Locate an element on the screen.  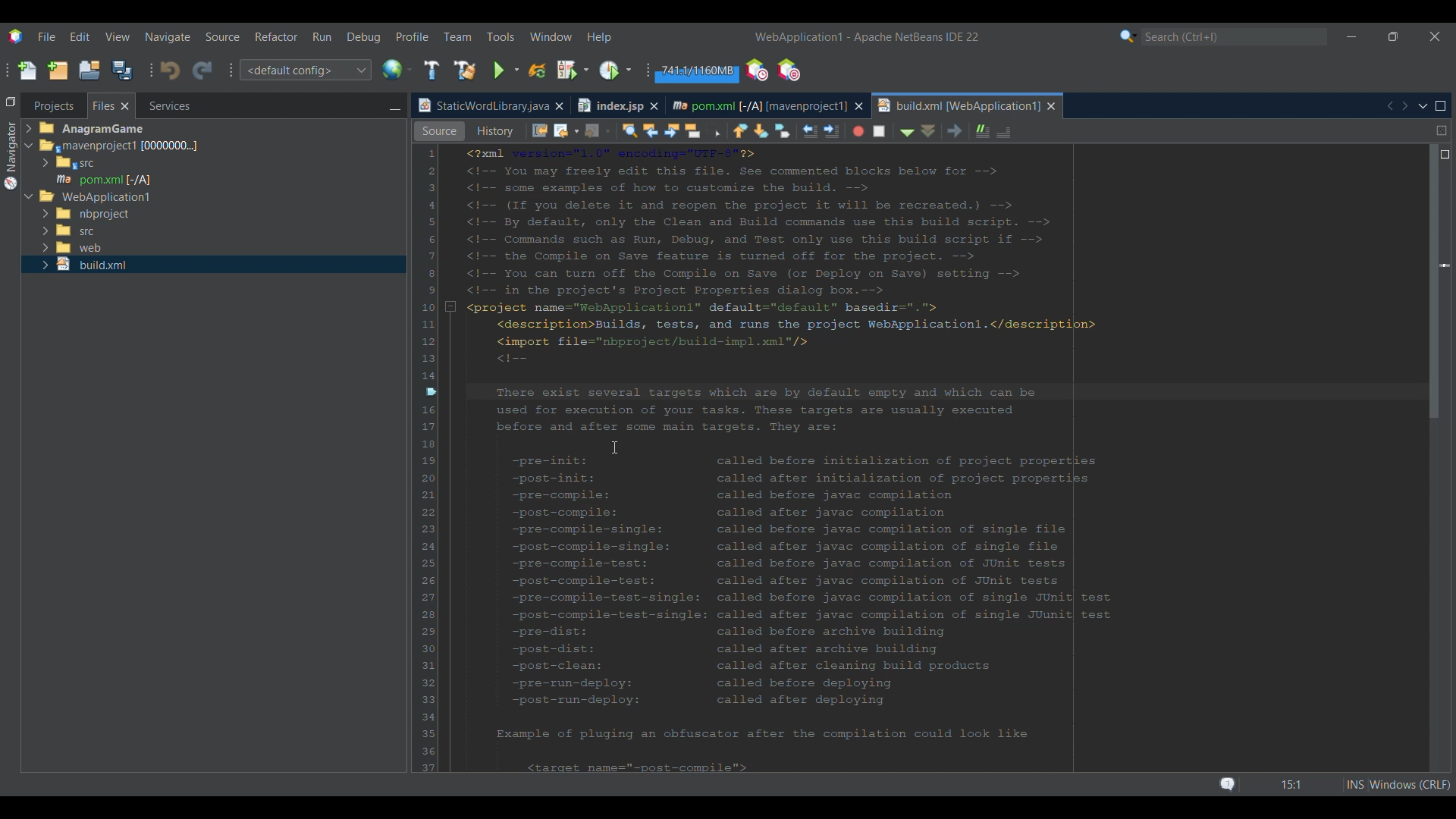
Last edit is located at coordinates (676, 130).